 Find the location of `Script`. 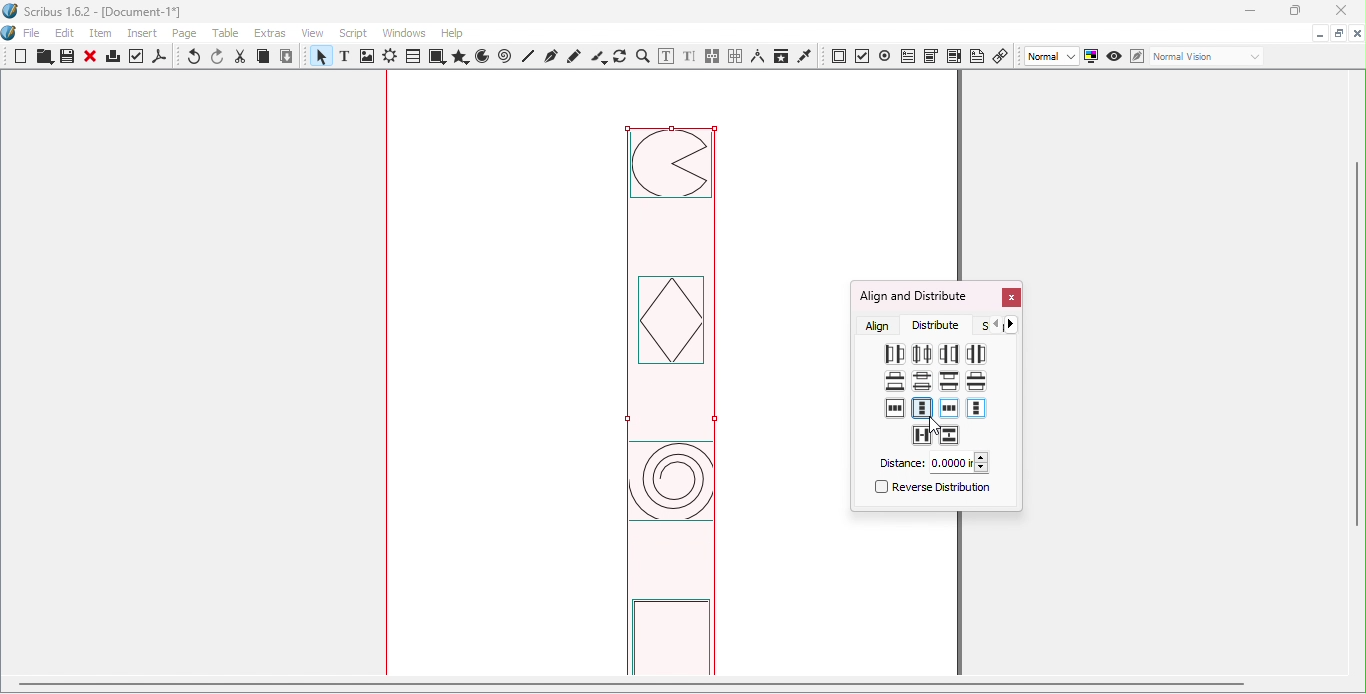

Script is located at coordinates (356, 32).